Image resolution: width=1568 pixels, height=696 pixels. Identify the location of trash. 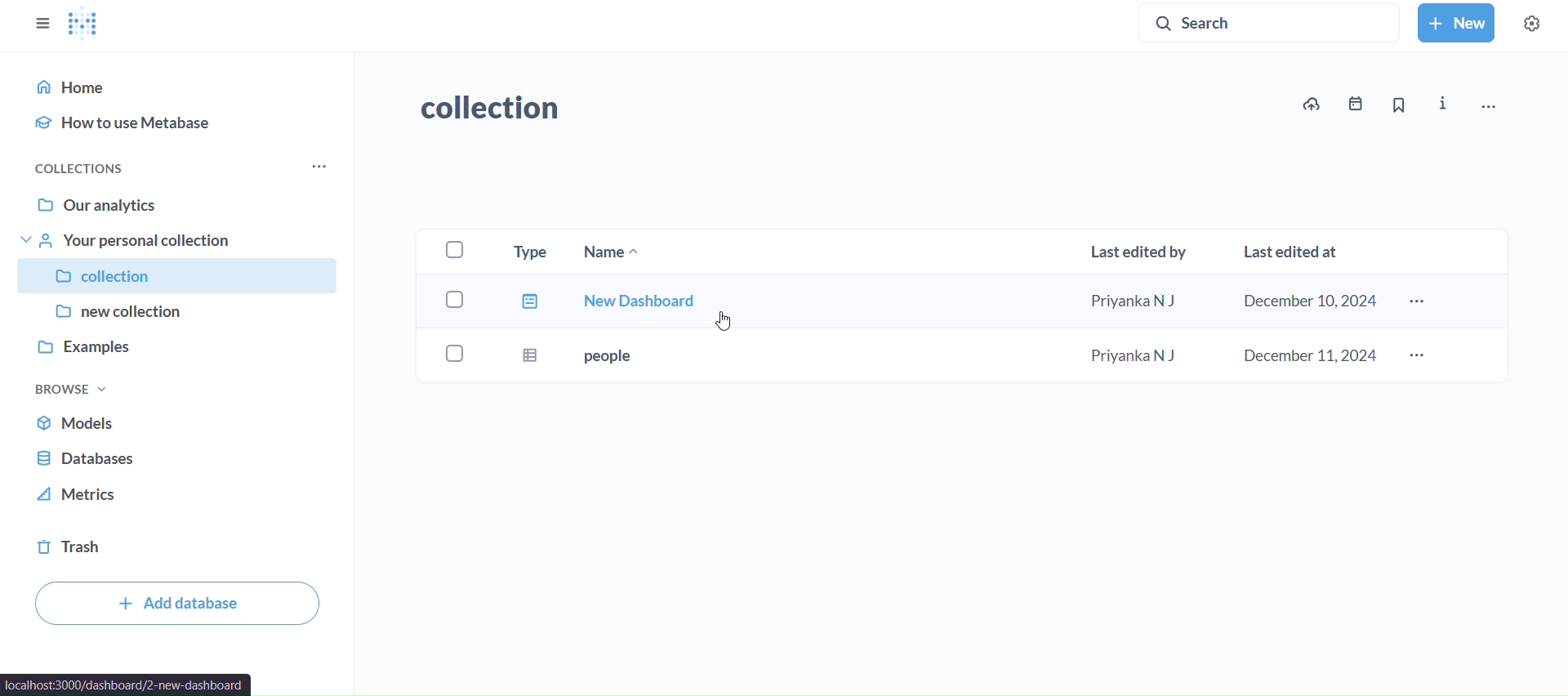
(181, 549).